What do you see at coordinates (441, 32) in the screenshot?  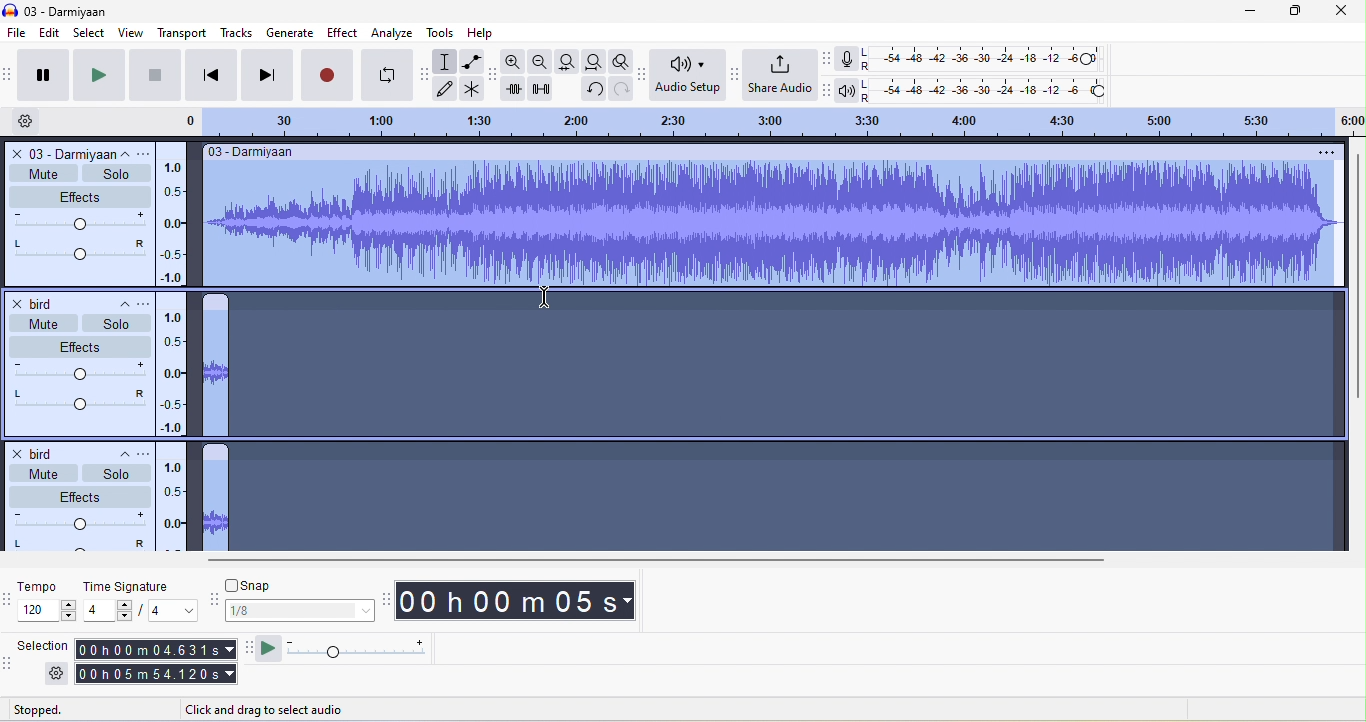 I see `tools` at bounding box center [441, 32].